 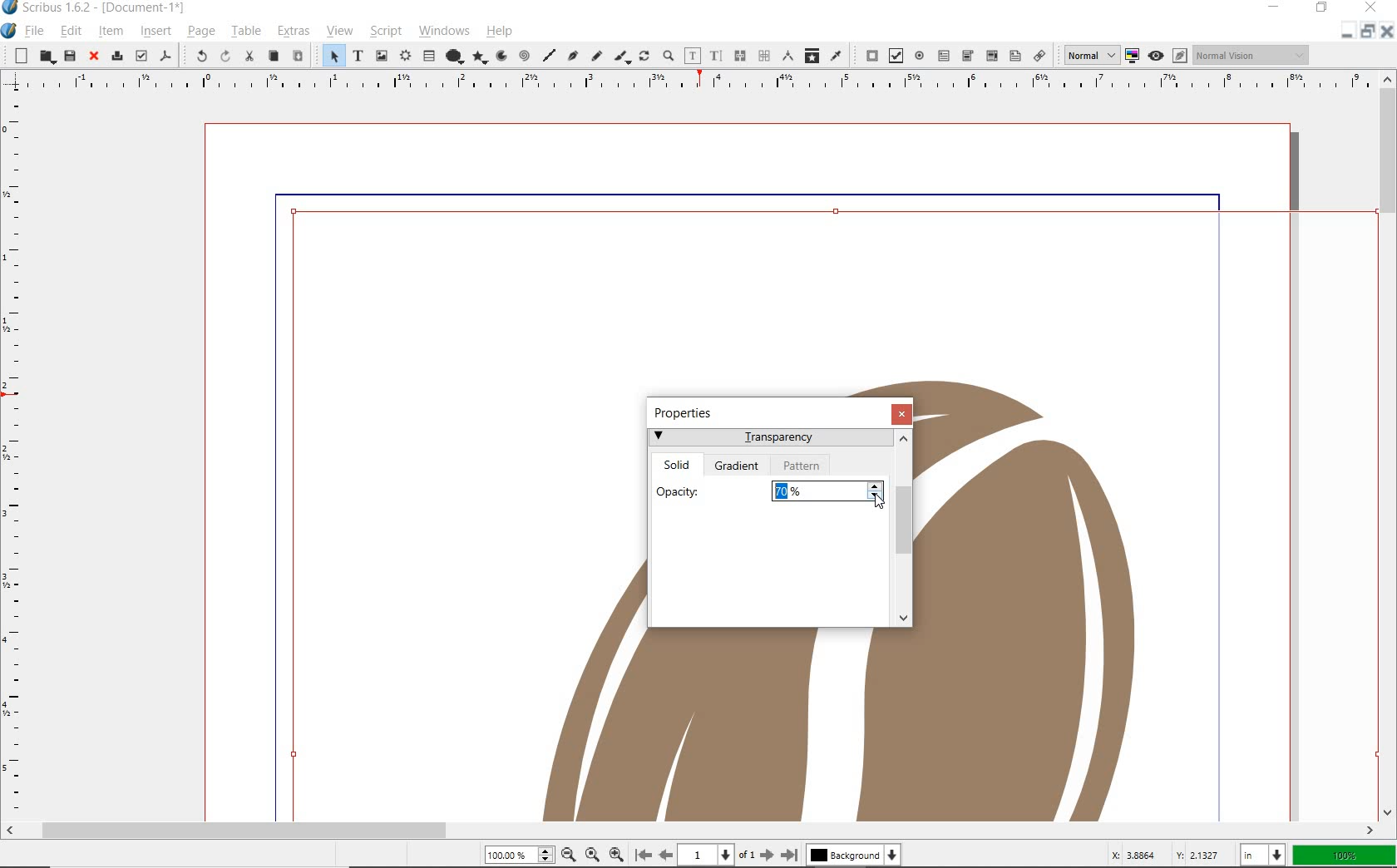 I want to click on gradient, so click(x=739, y=466).